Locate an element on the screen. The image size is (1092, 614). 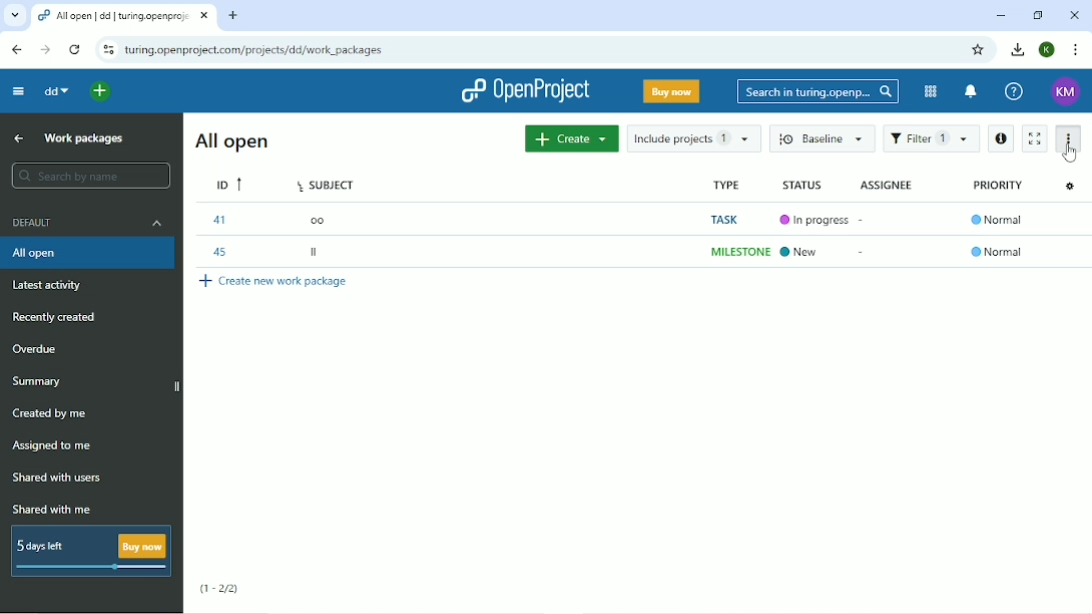
Latest activity is located at coordinates (48, 285).